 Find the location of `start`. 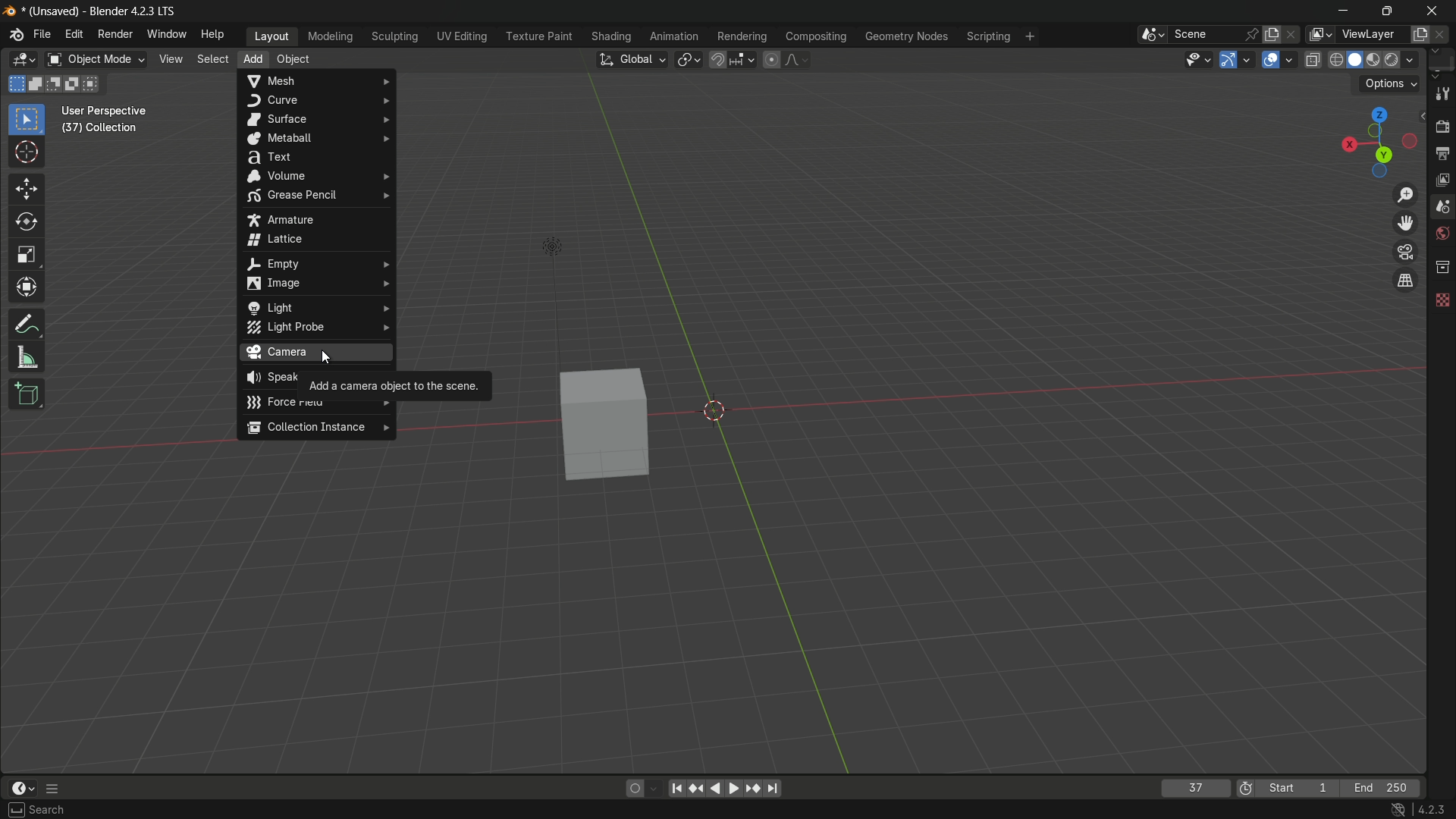

start is located at coordinates (1301, 787).